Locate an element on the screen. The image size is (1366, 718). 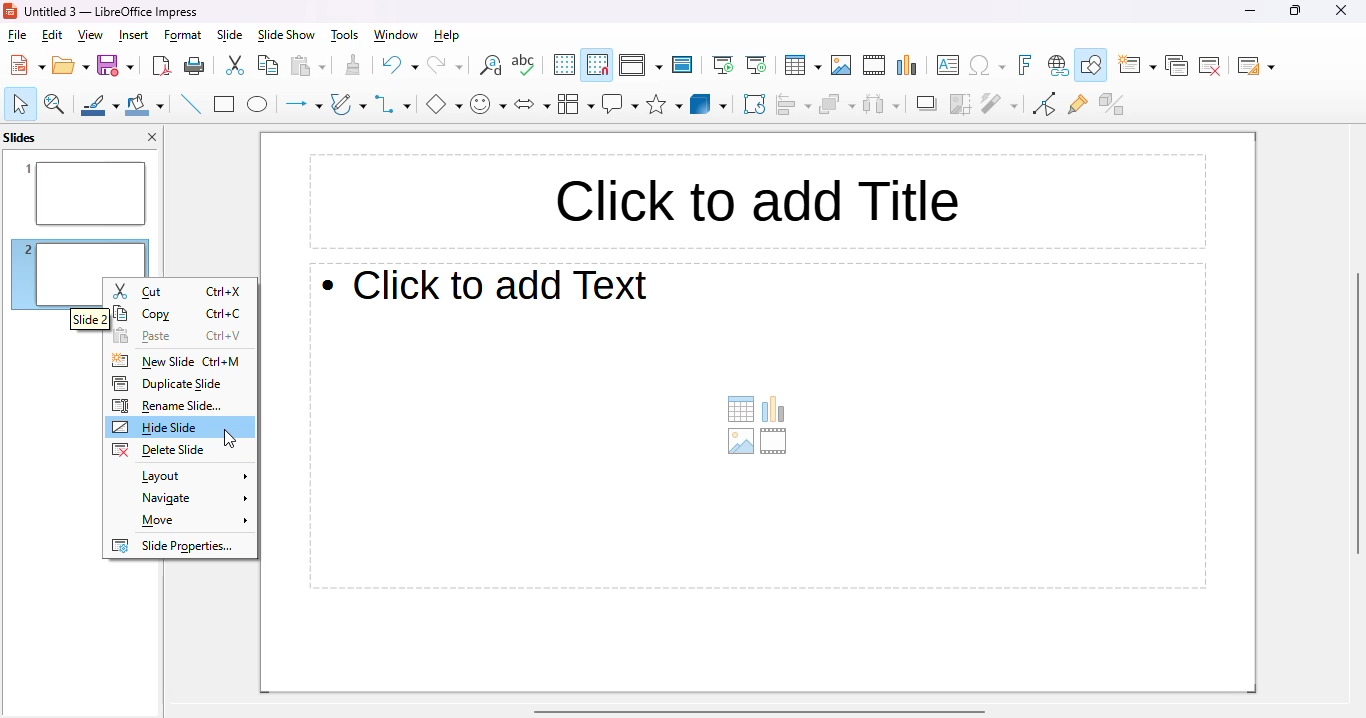
slide show is located at coordinates (285, 36).